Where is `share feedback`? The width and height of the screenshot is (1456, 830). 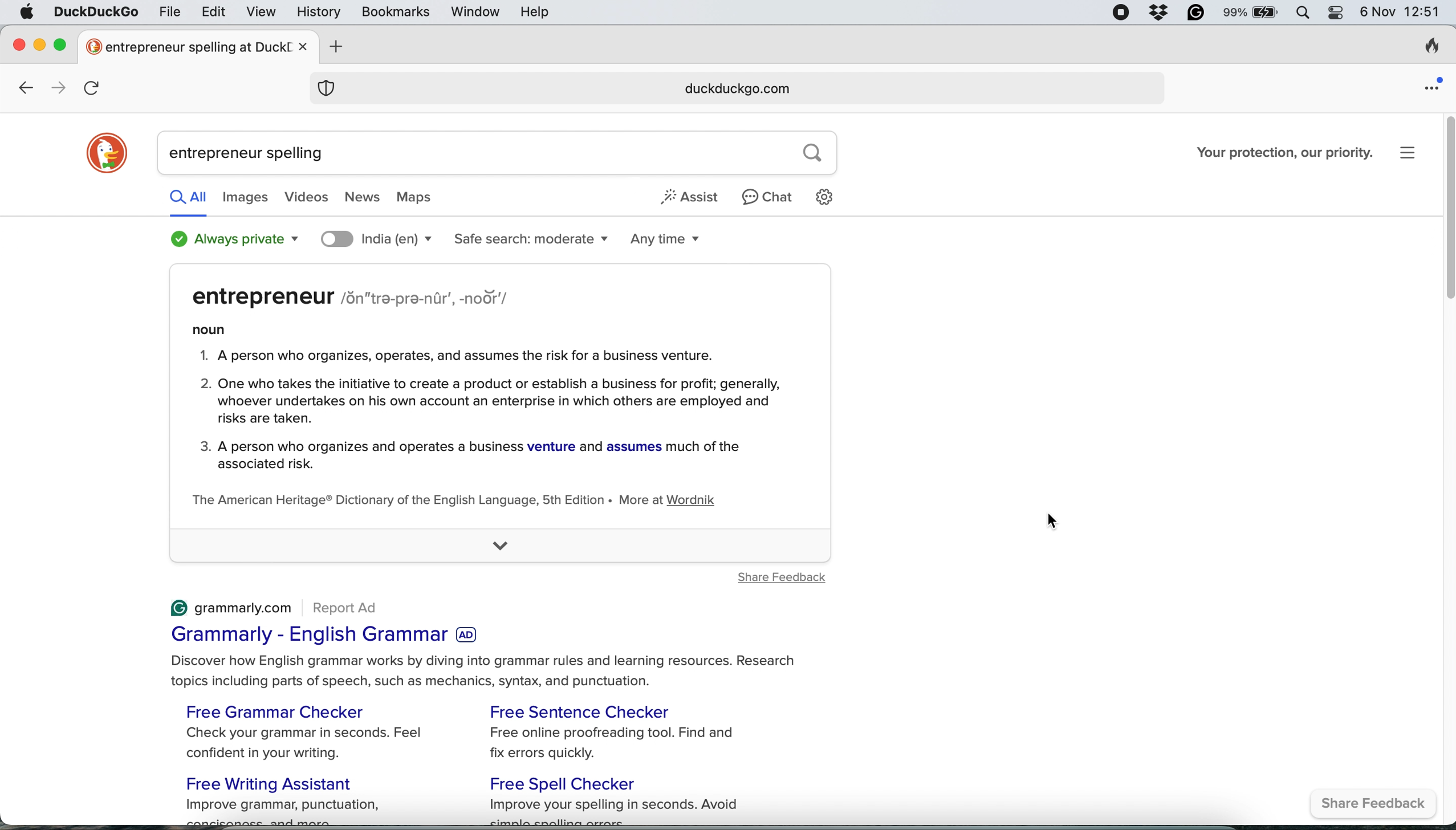 share feedback is located at coordinates (1373, 807).